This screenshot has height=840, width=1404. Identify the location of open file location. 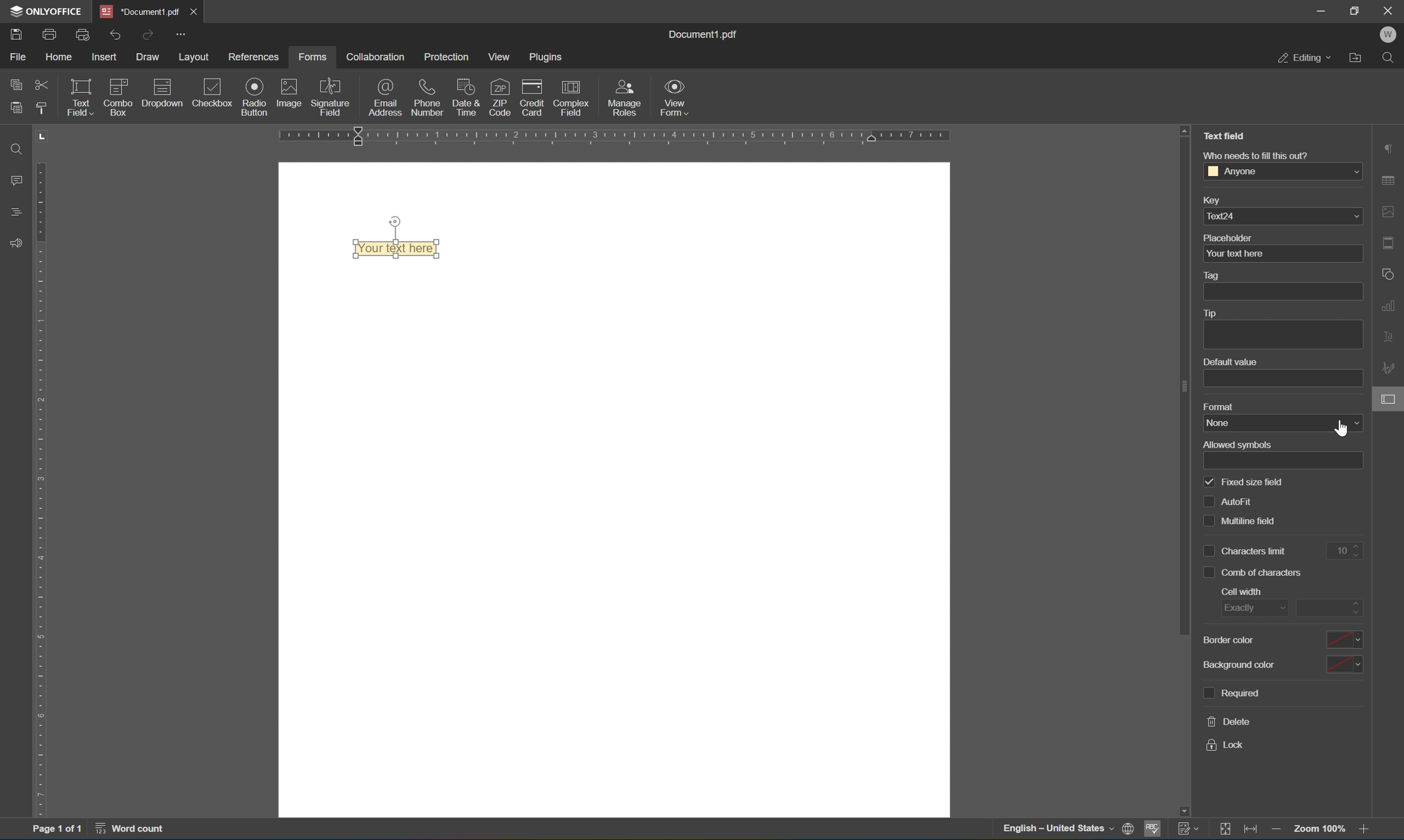
(1359, 57).